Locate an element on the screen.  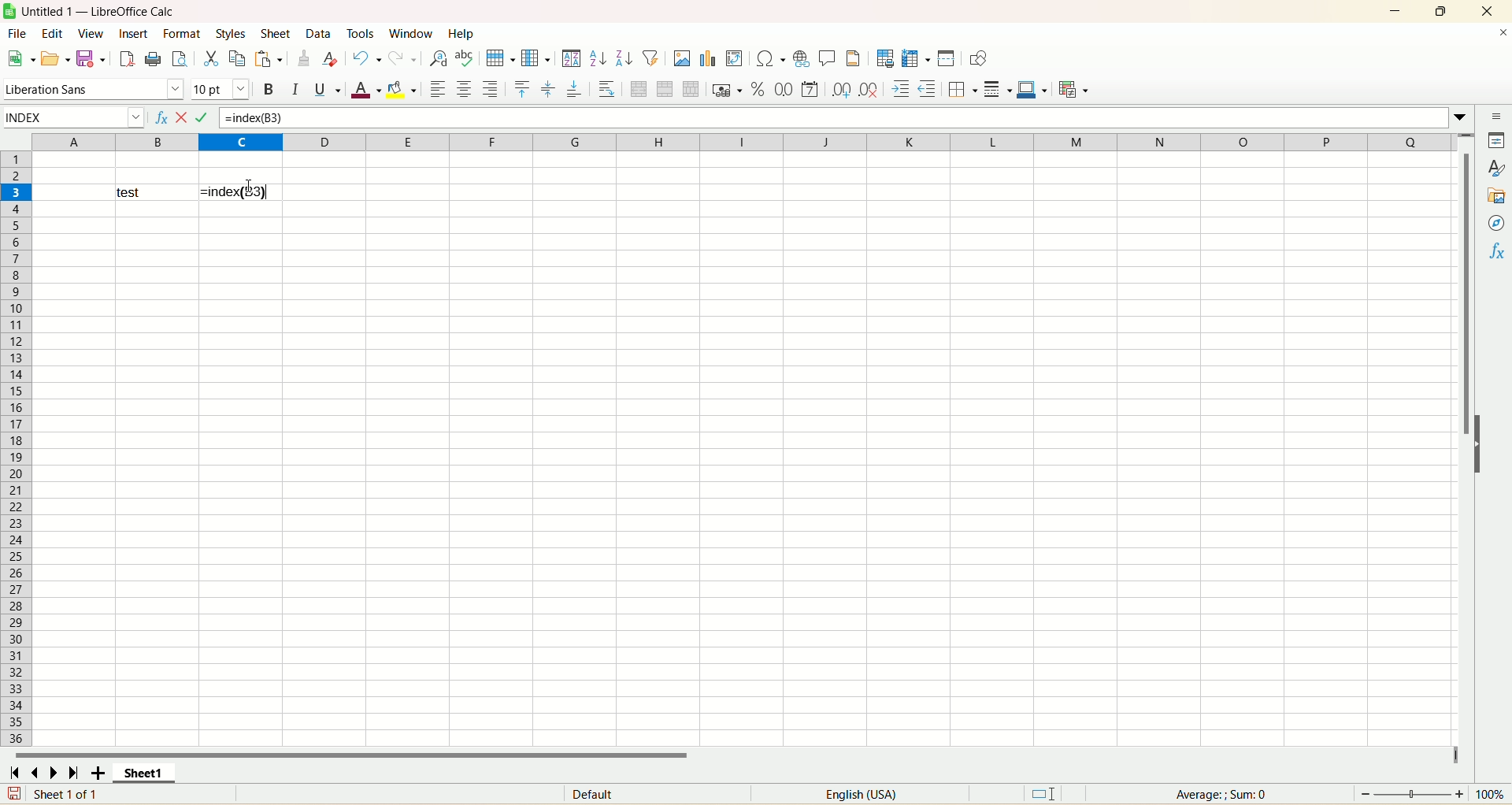
format as percent is located at coordinates (758, 89).